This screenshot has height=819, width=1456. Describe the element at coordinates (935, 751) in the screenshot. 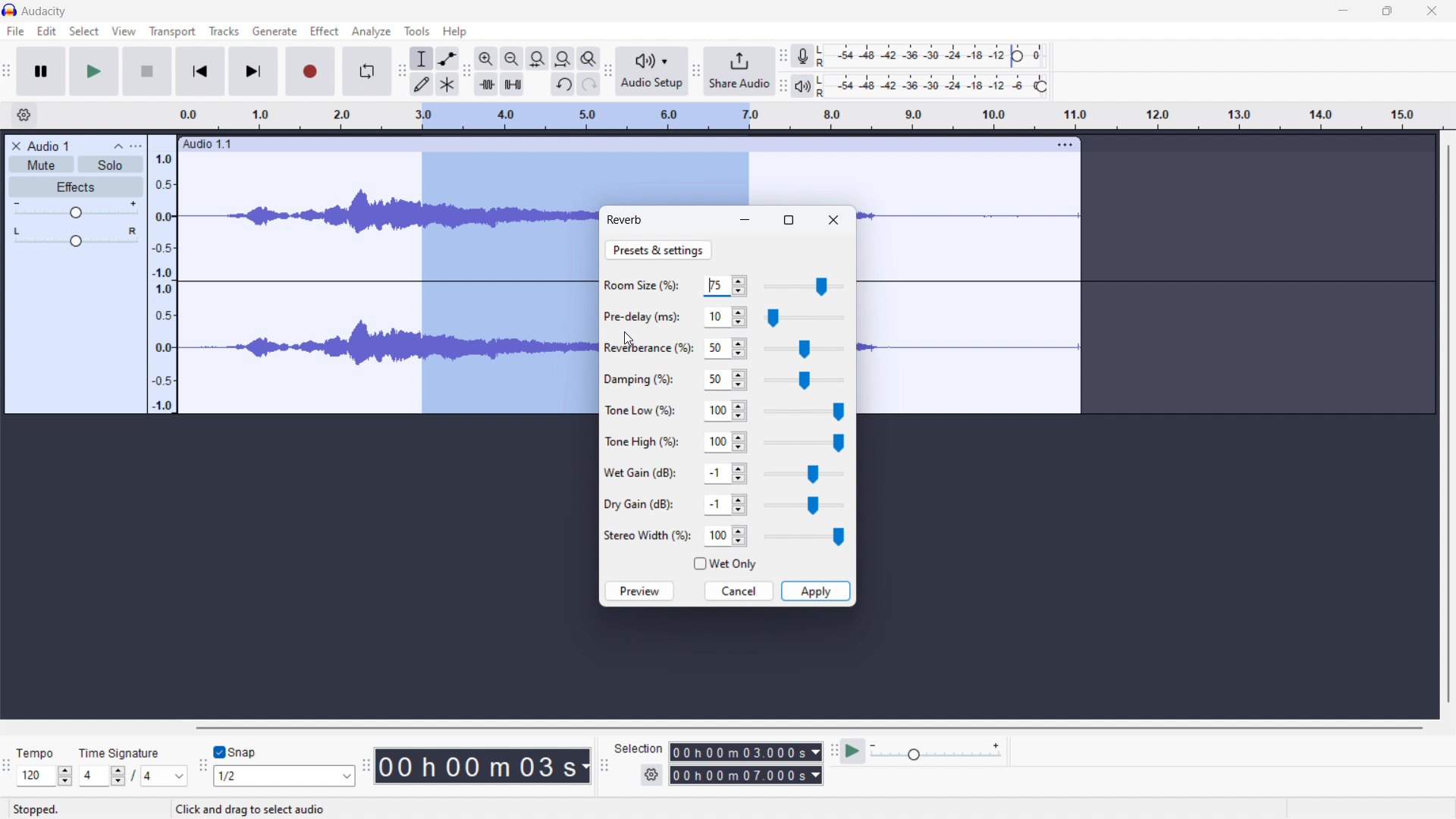

I see `playback speed` at that location.